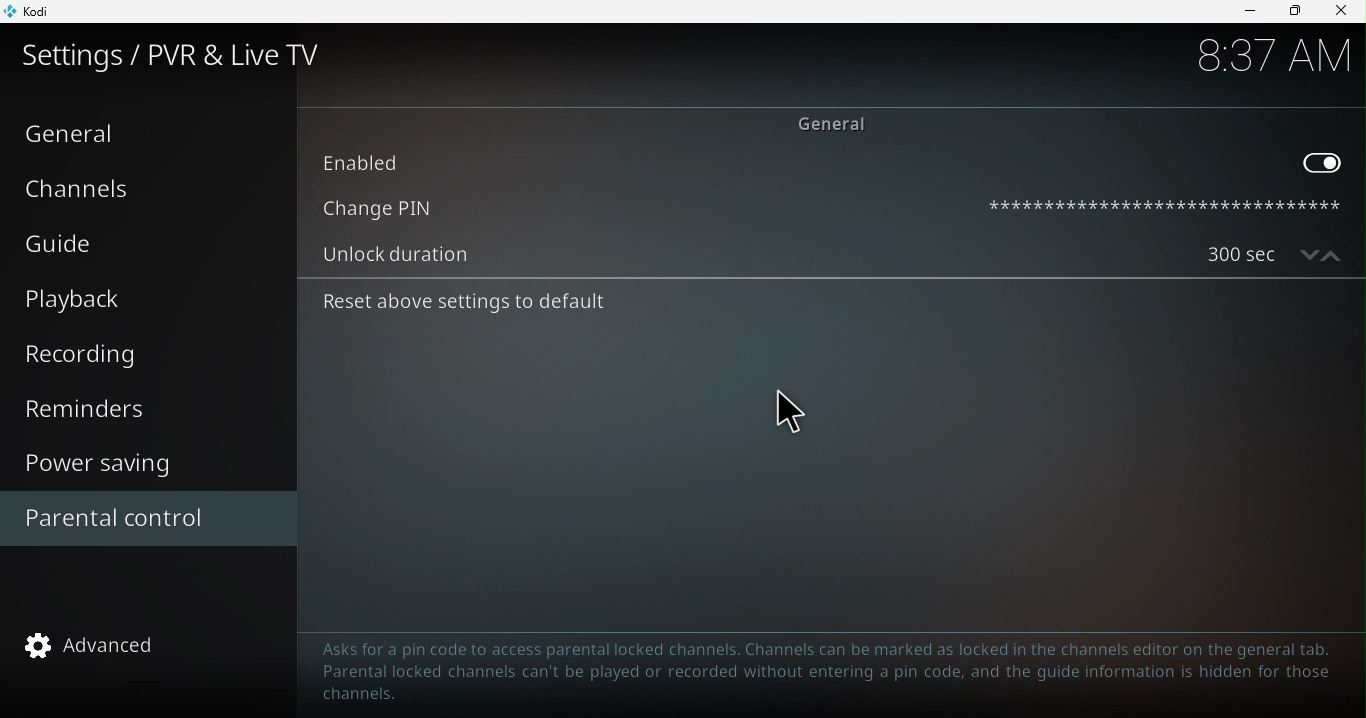 This screenshot has width=1366, height=718. Describe the element at coordinates (825, 167) in the screenshot. I see `Enabled` at that location.